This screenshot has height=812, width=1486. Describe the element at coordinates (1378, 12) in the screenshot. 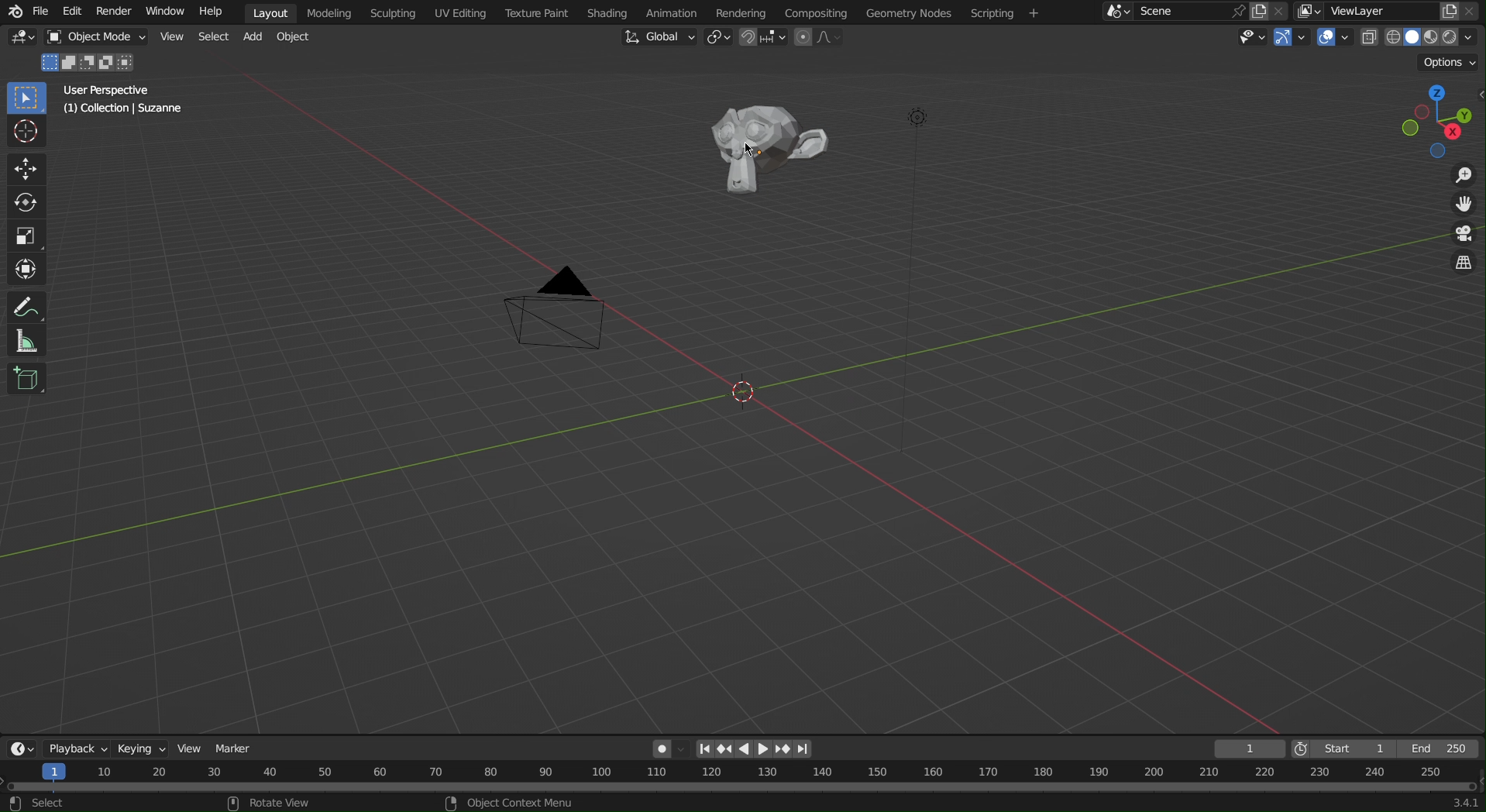

I see `ViewLayer` at that location.